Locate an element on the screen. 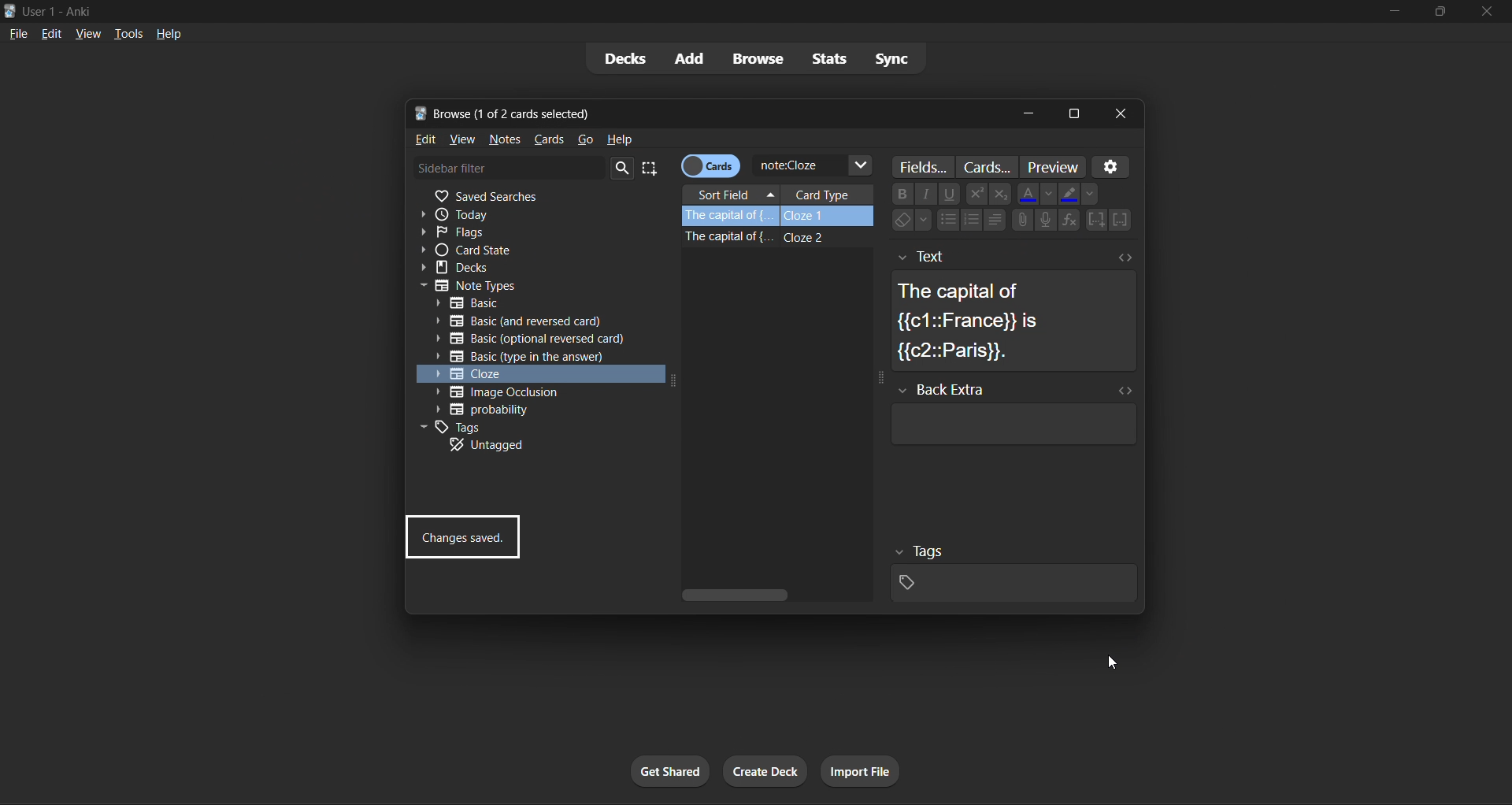  decks filter expand is located at coordinates (534, 268).